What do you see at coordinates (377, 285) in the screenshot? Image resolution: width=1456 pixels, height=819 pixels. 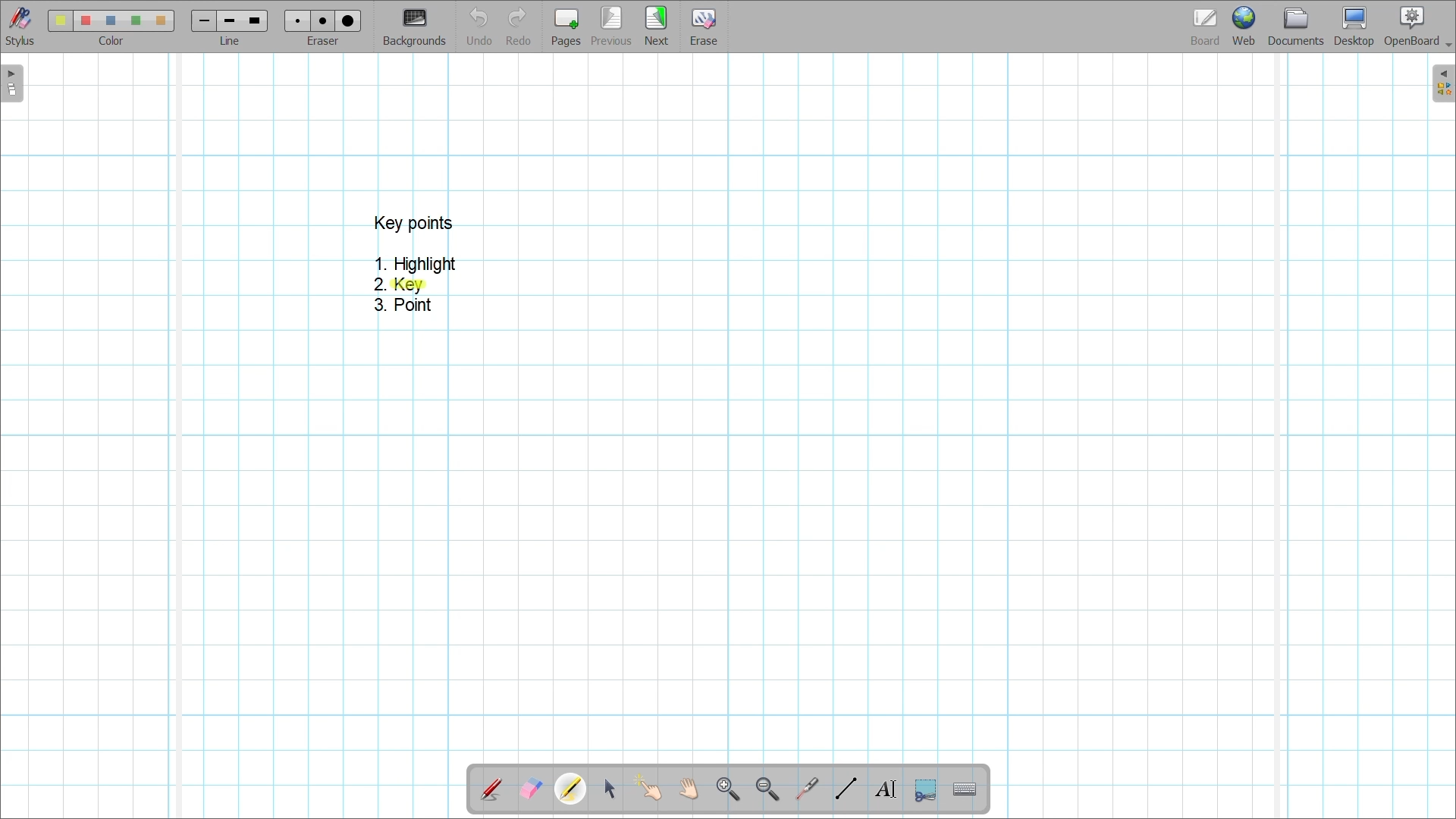 I see `2. ` at bounding box center [377, 285].